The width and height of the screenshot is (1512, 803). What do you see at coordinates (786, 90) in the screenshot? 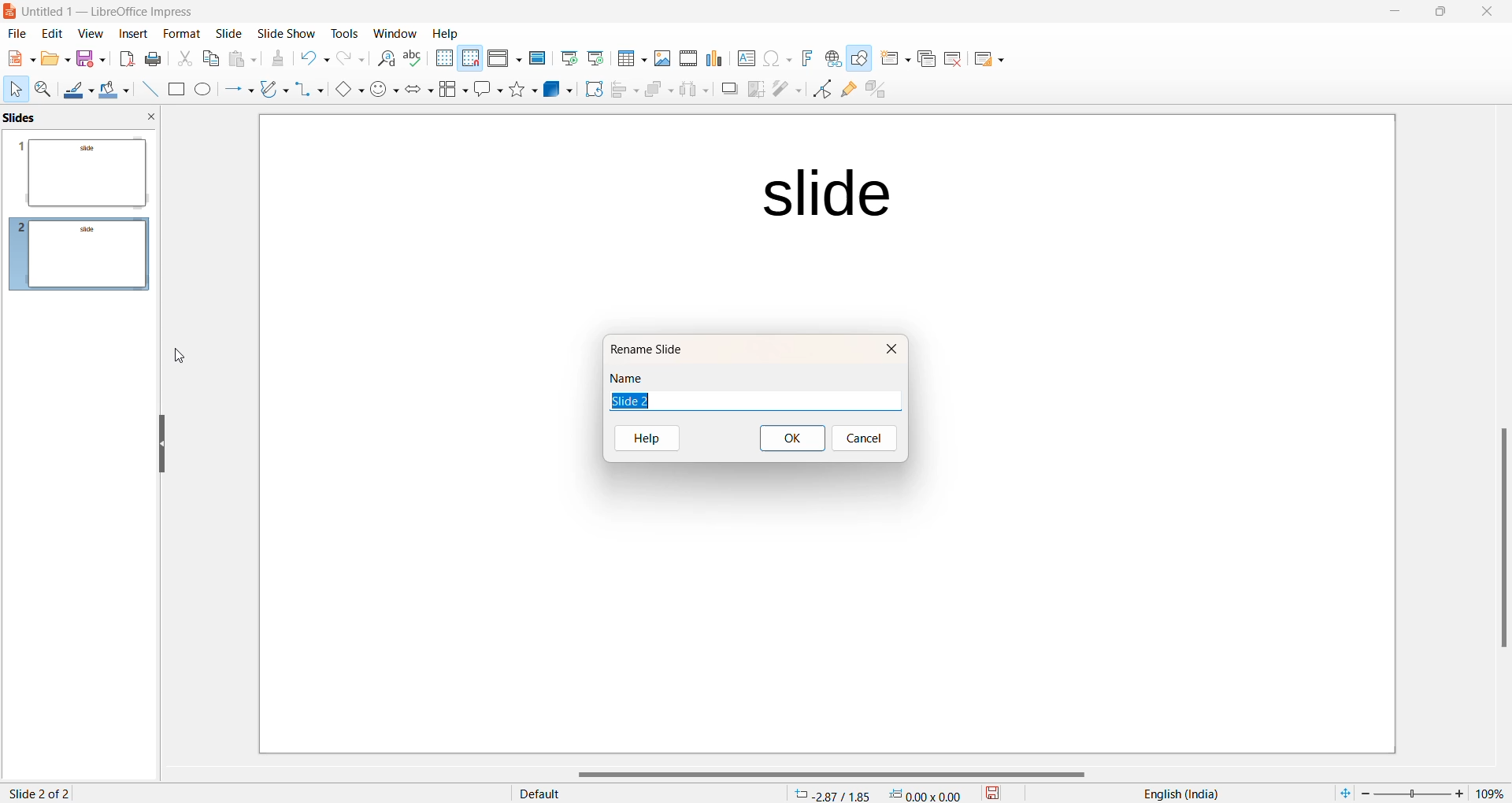
I see `filter` at bounding box center [786, 90].